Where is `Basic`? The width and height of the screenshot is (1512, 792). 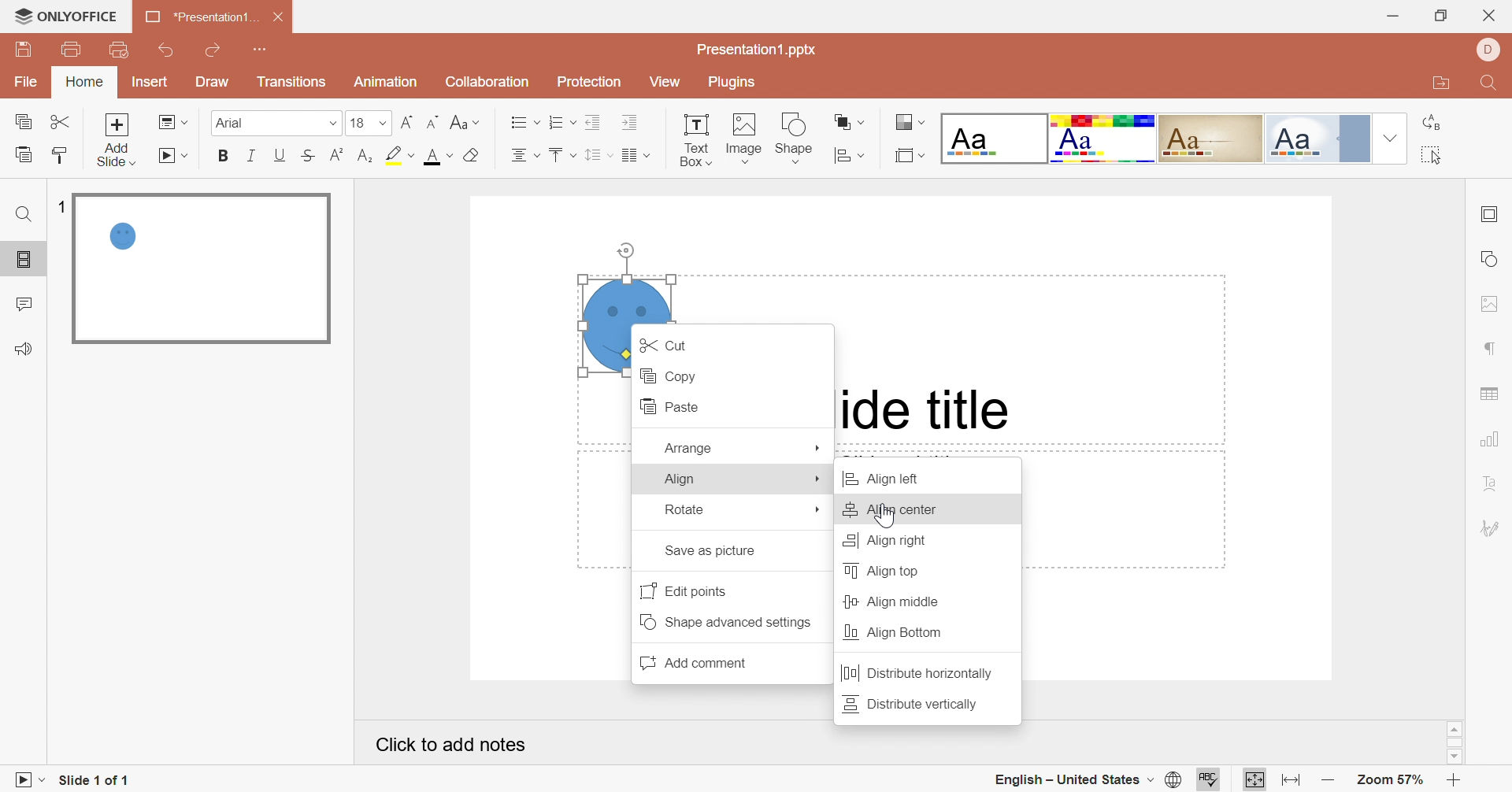
Basic is located at coordinates (1103, 139).